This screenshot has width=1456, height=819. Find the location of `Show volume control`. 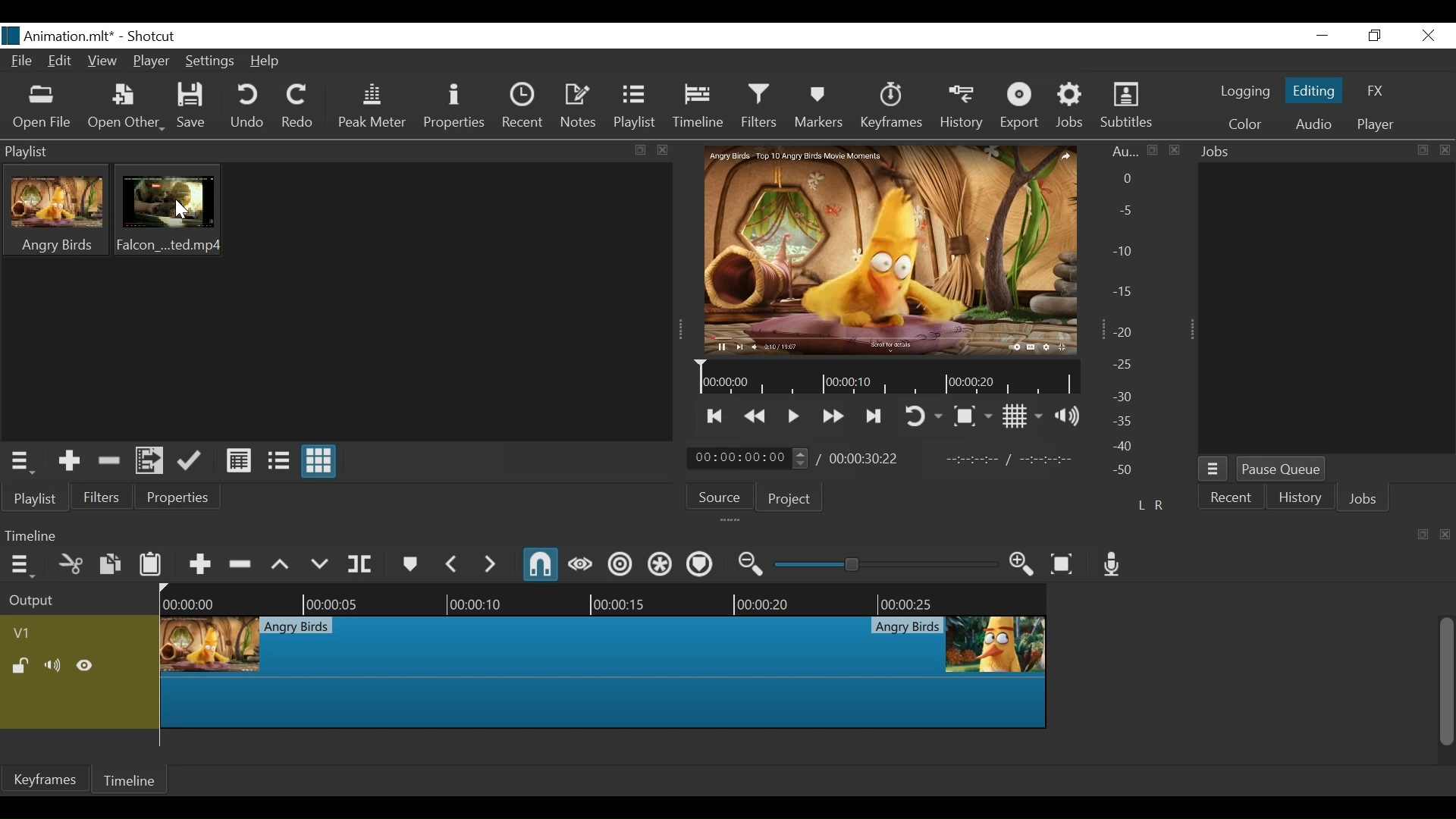

Show volume control is located at coordinates (1068, 416).